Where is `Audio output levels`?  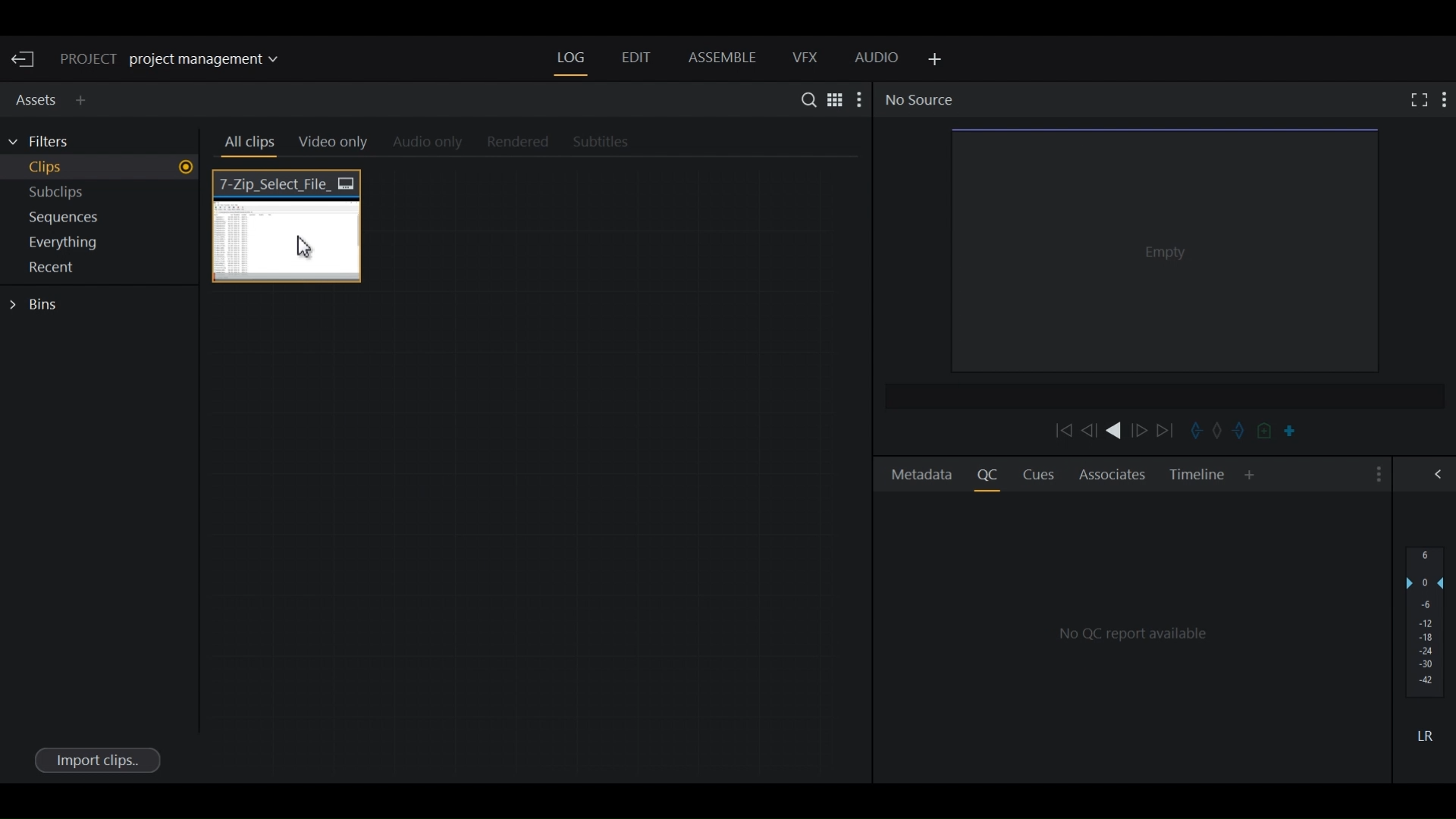
Audio output levels is located at coordinates (1425, 621).